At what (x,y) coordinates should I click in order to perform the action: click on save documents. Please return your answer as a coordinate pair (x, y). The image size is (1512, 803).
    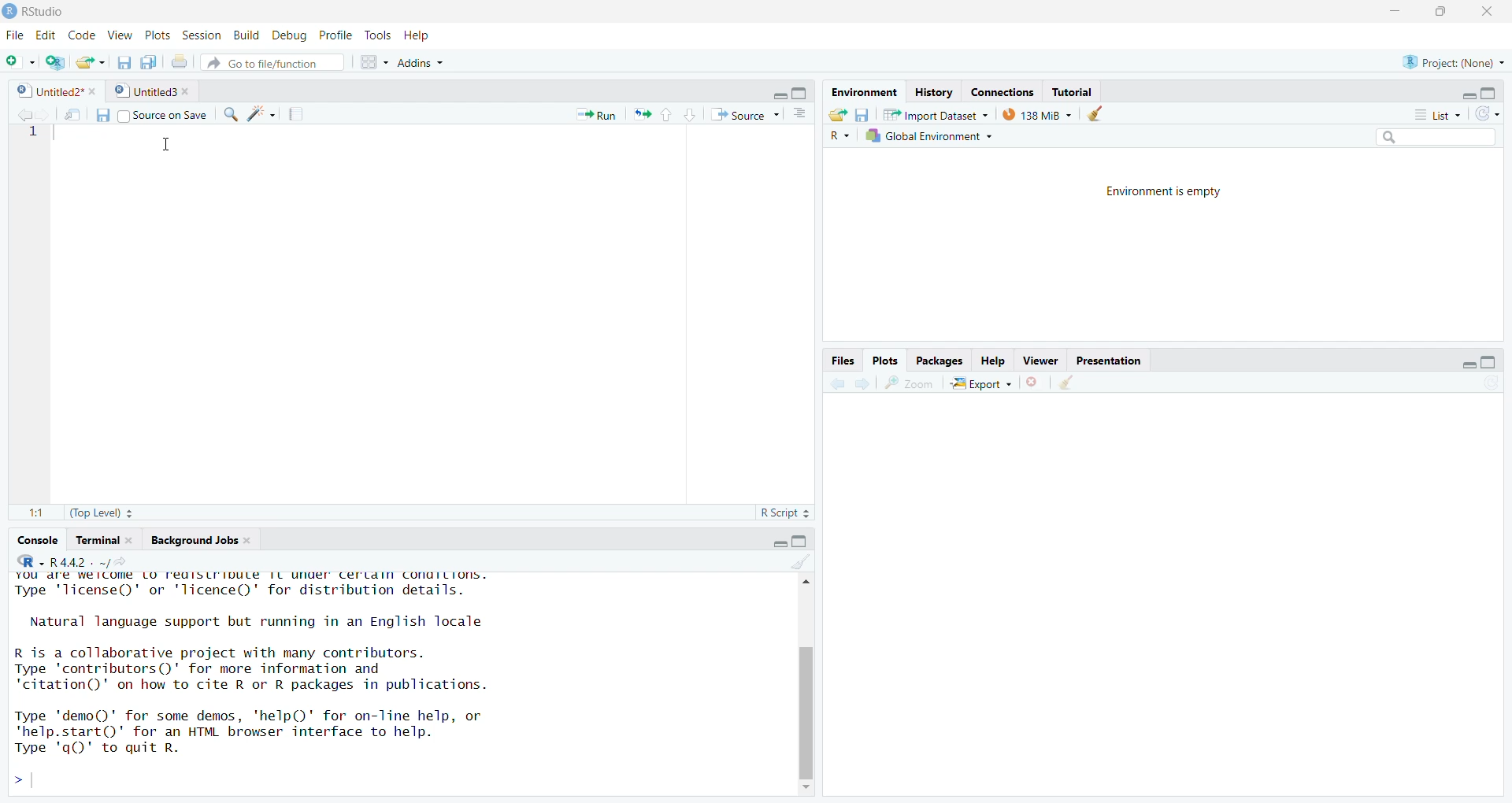
    Looking at the image, I should click on (149, 59).